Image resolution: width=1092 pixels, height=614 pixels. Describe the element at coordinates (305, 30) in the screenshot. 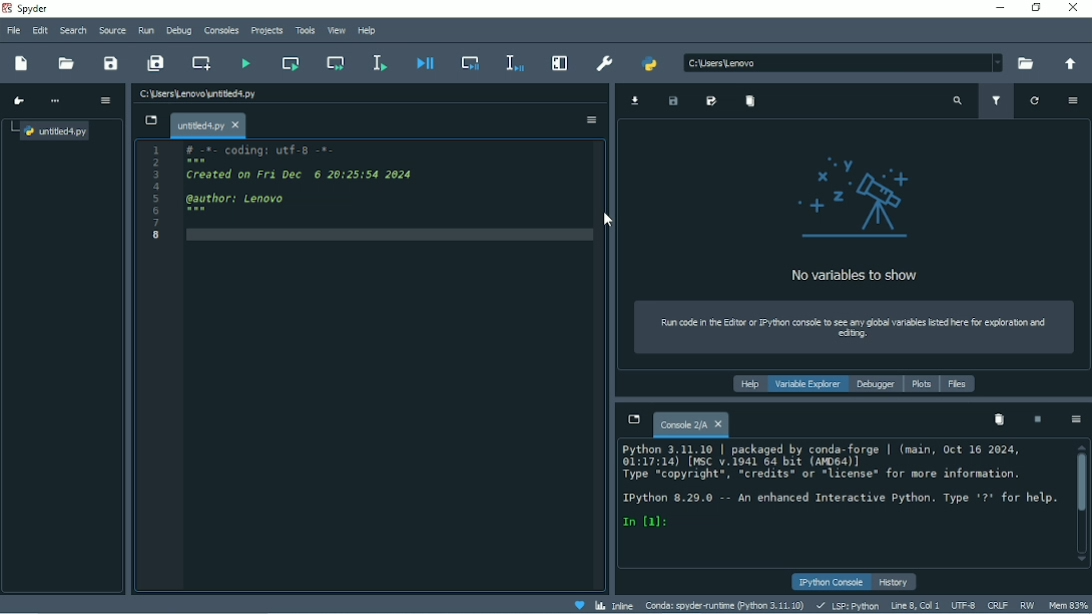

I see `Tools` at that location.